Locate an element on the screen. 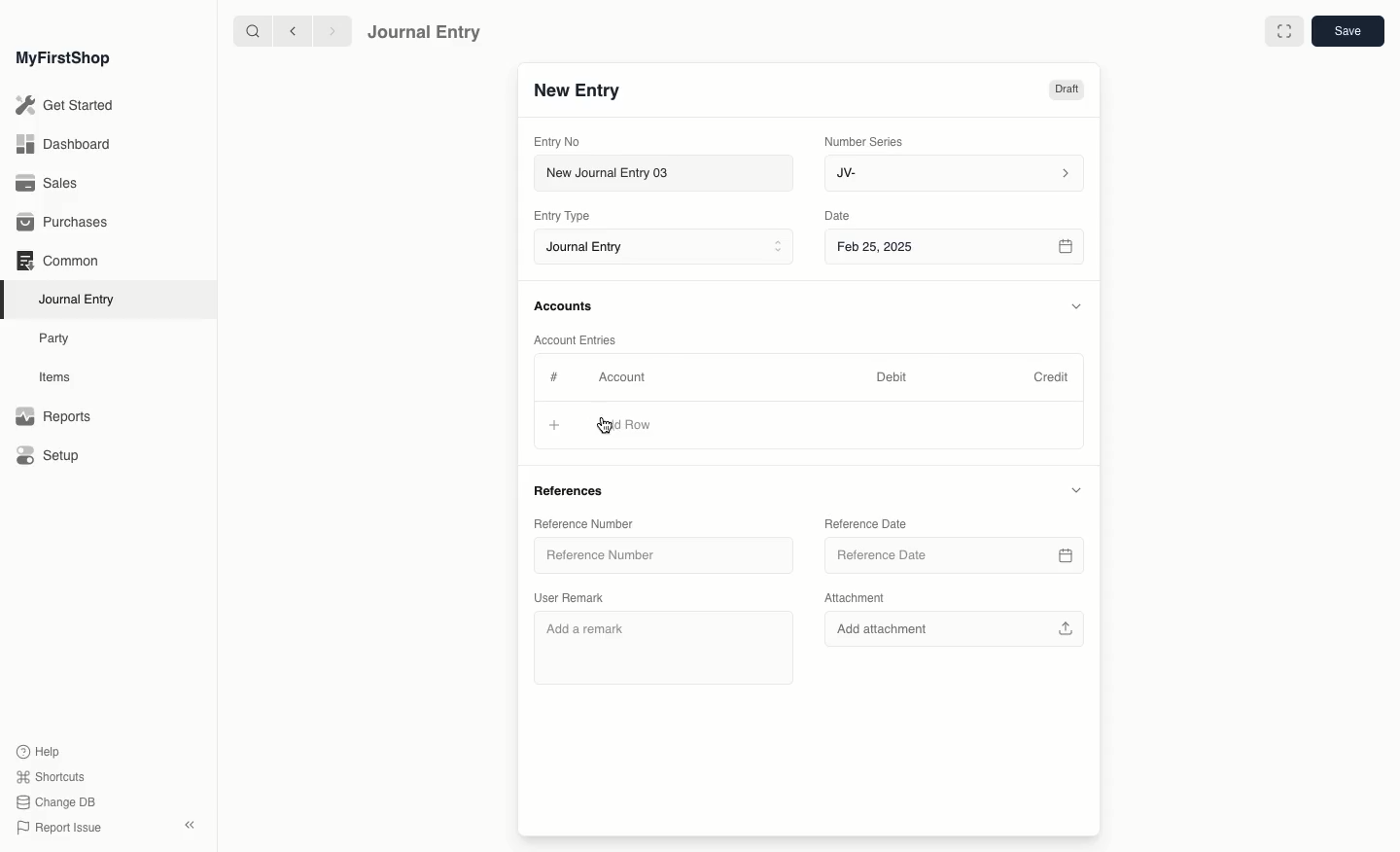 This screenshot has width=1400, height=852. Reference Number is located at coordinates (662, 558).